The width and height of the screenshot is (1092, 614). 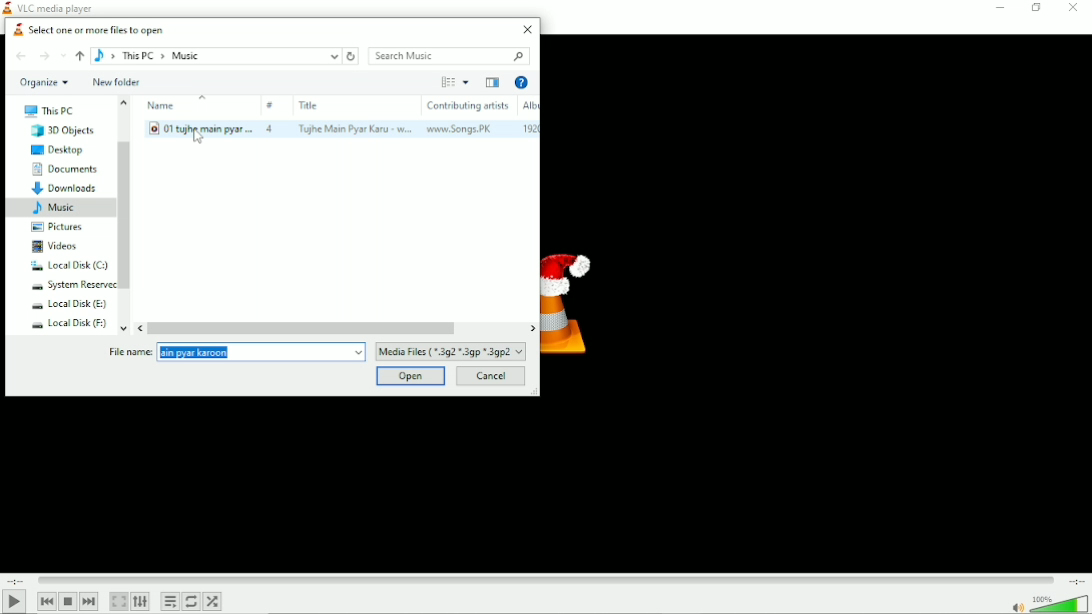 What do you see at coordinates (353, 116) in the screenshot?
I see `Title` at bounding box center [353, 116].